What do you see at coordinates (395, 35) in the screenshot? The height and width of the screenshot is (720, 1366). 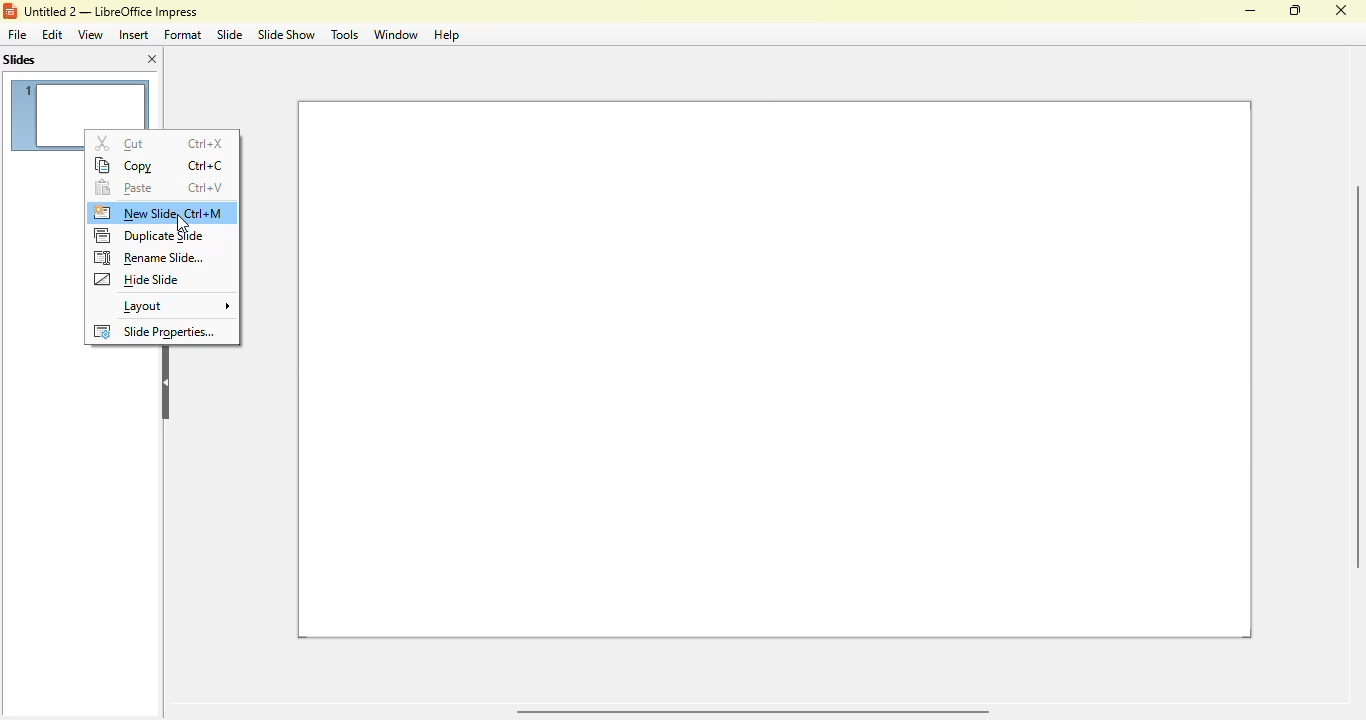 I see `window` at bounding box center [395, 35].